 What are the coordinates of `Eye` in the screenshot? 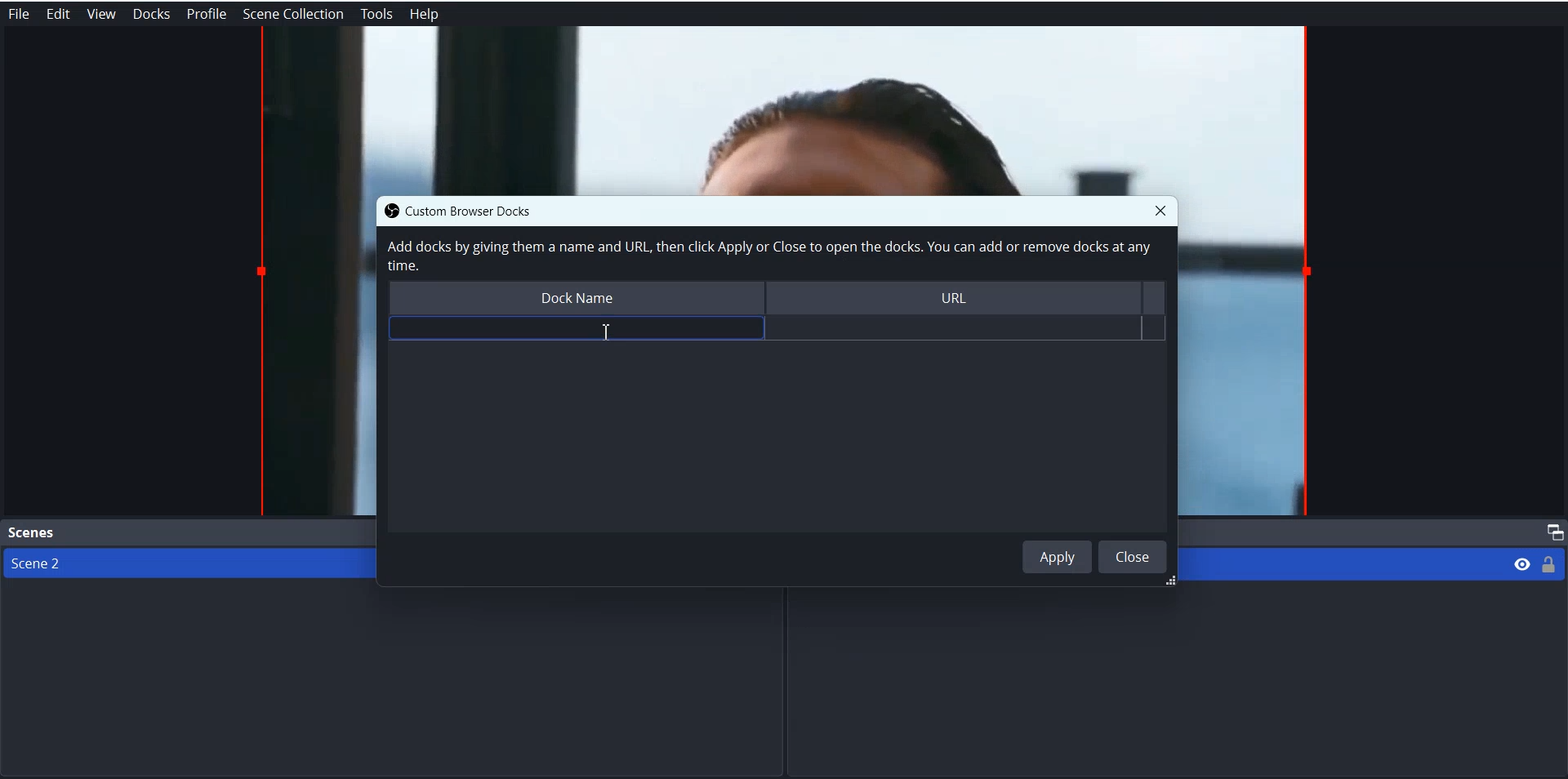 It's located at (1522, 563).